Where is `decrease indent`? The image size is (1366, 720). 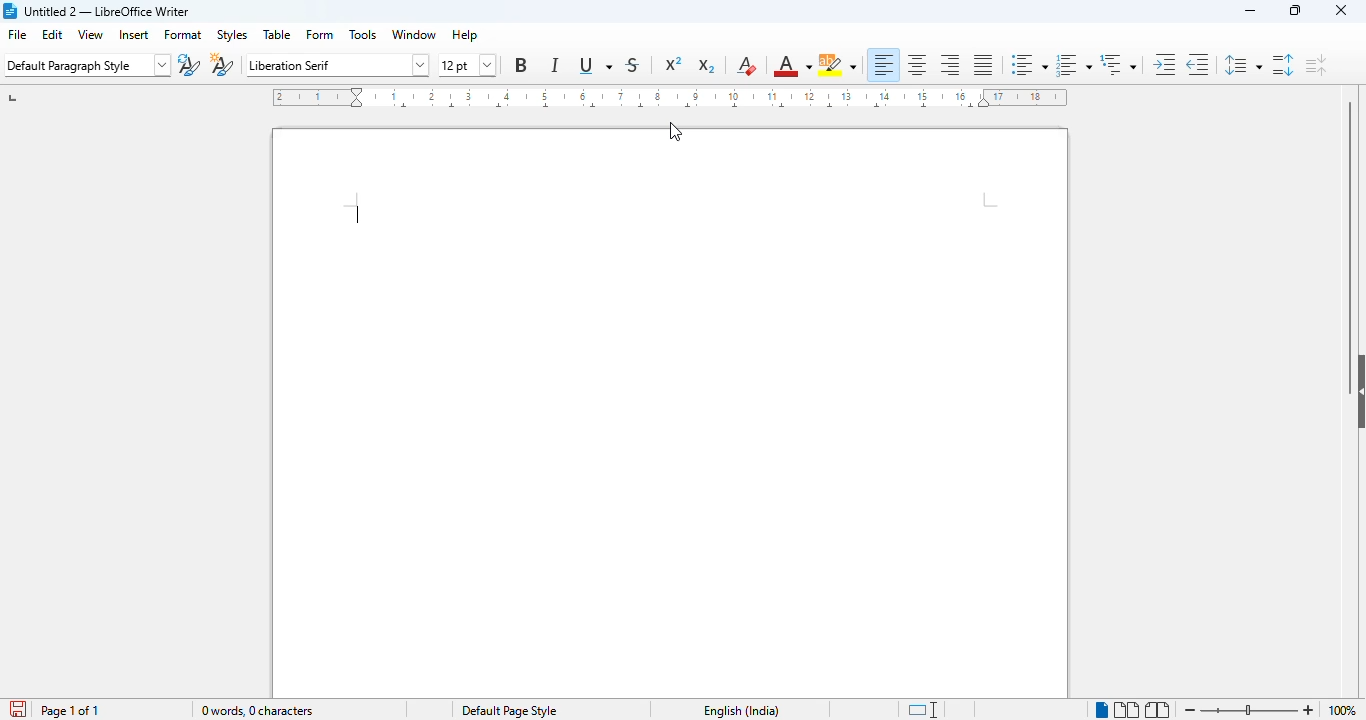
decrease indent is located at coordinates (1197, 65).